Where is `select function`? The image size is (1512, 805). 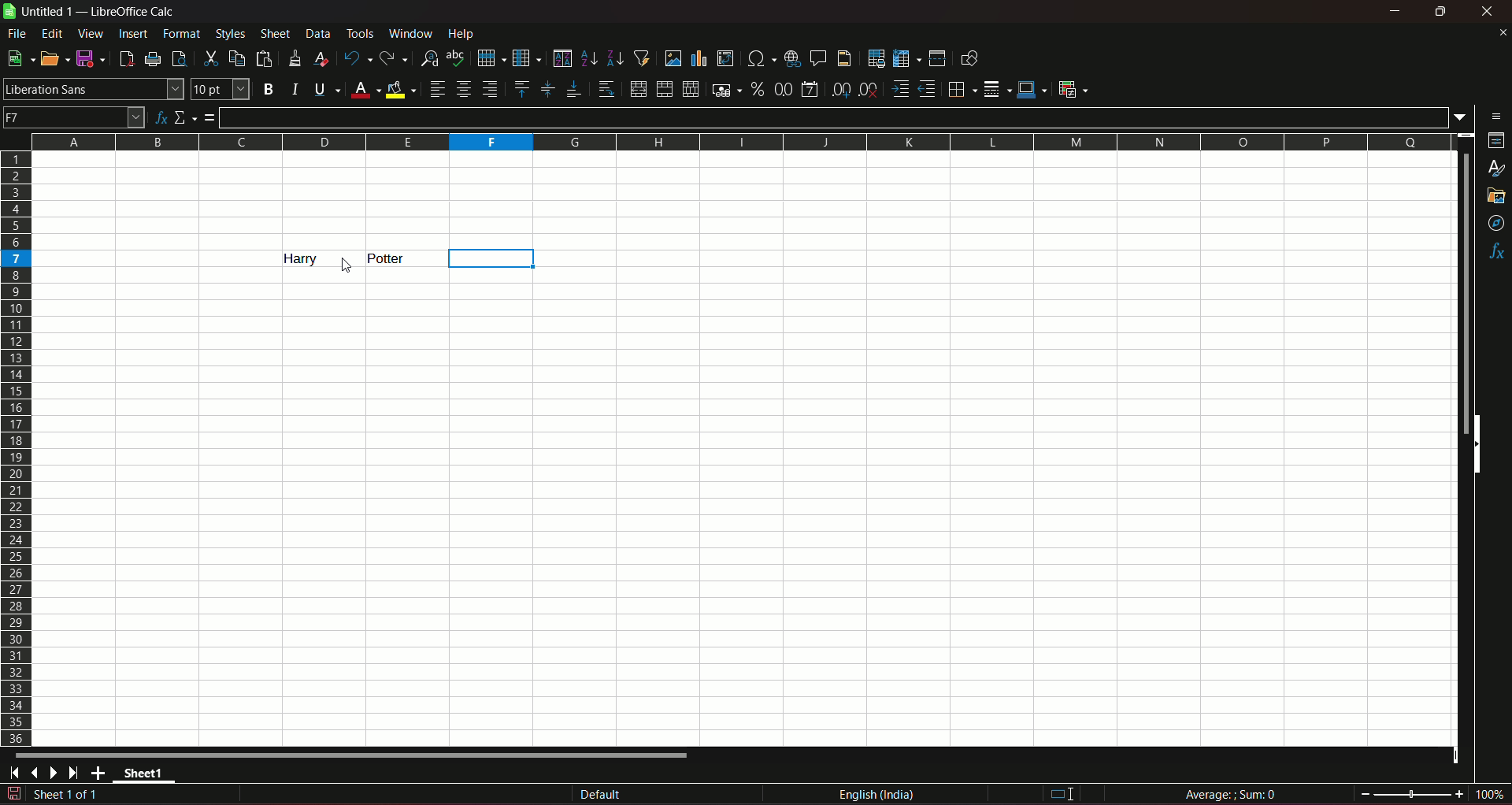
select function is located at coordinates (186, 117).